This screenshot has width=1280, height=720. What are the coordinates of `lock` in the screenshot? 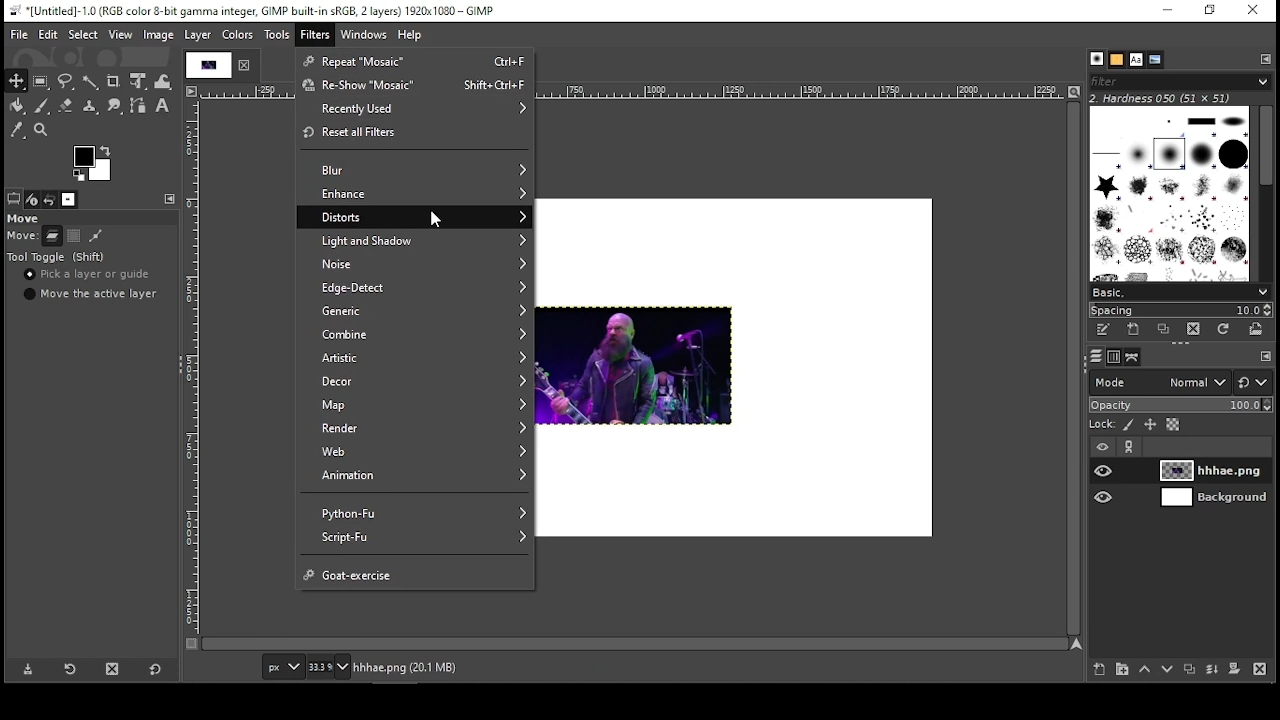 It's located at (1103, 424).